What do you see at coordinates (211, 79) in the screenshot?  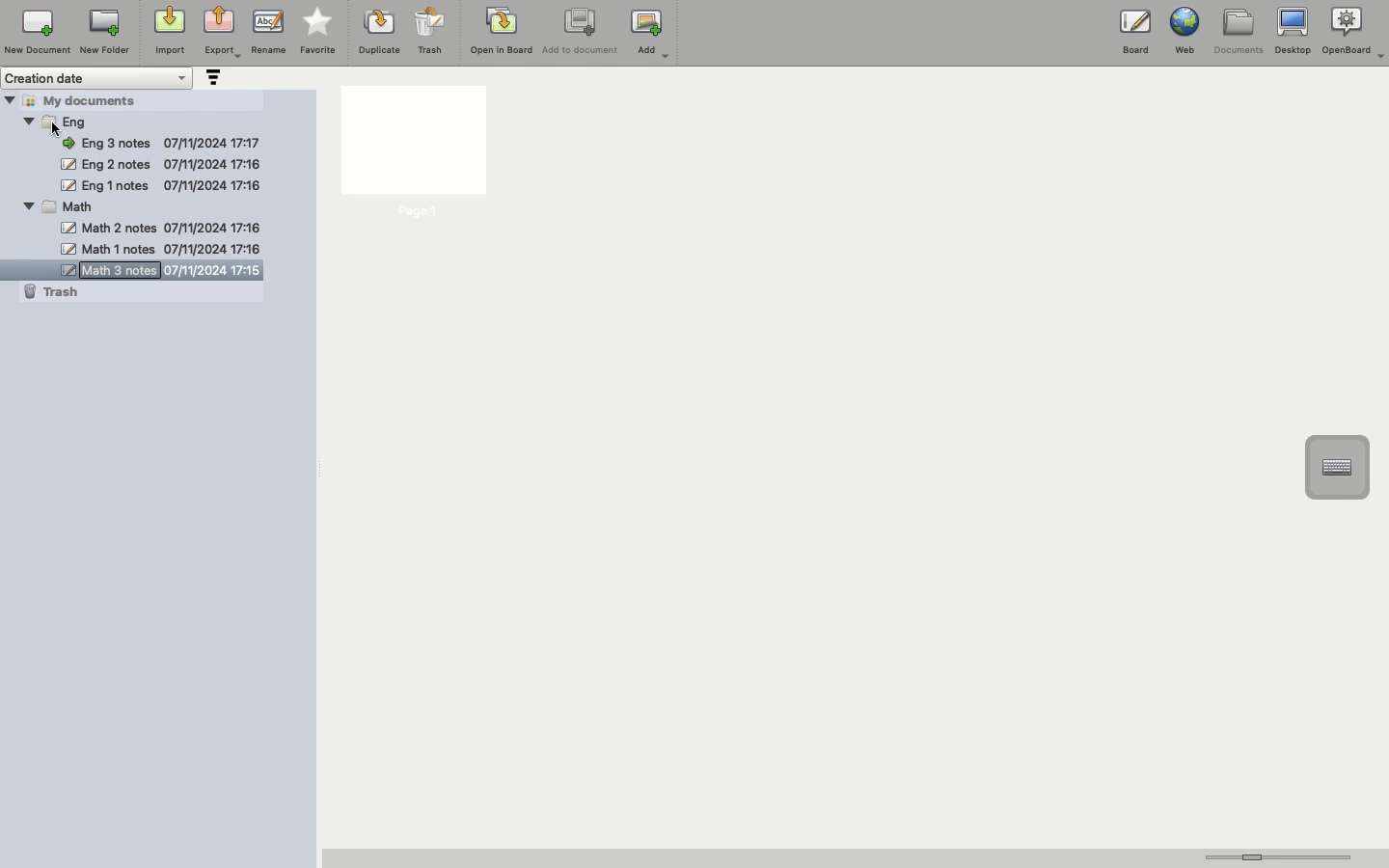 I see `Sort` at bounding box center [211, 79].